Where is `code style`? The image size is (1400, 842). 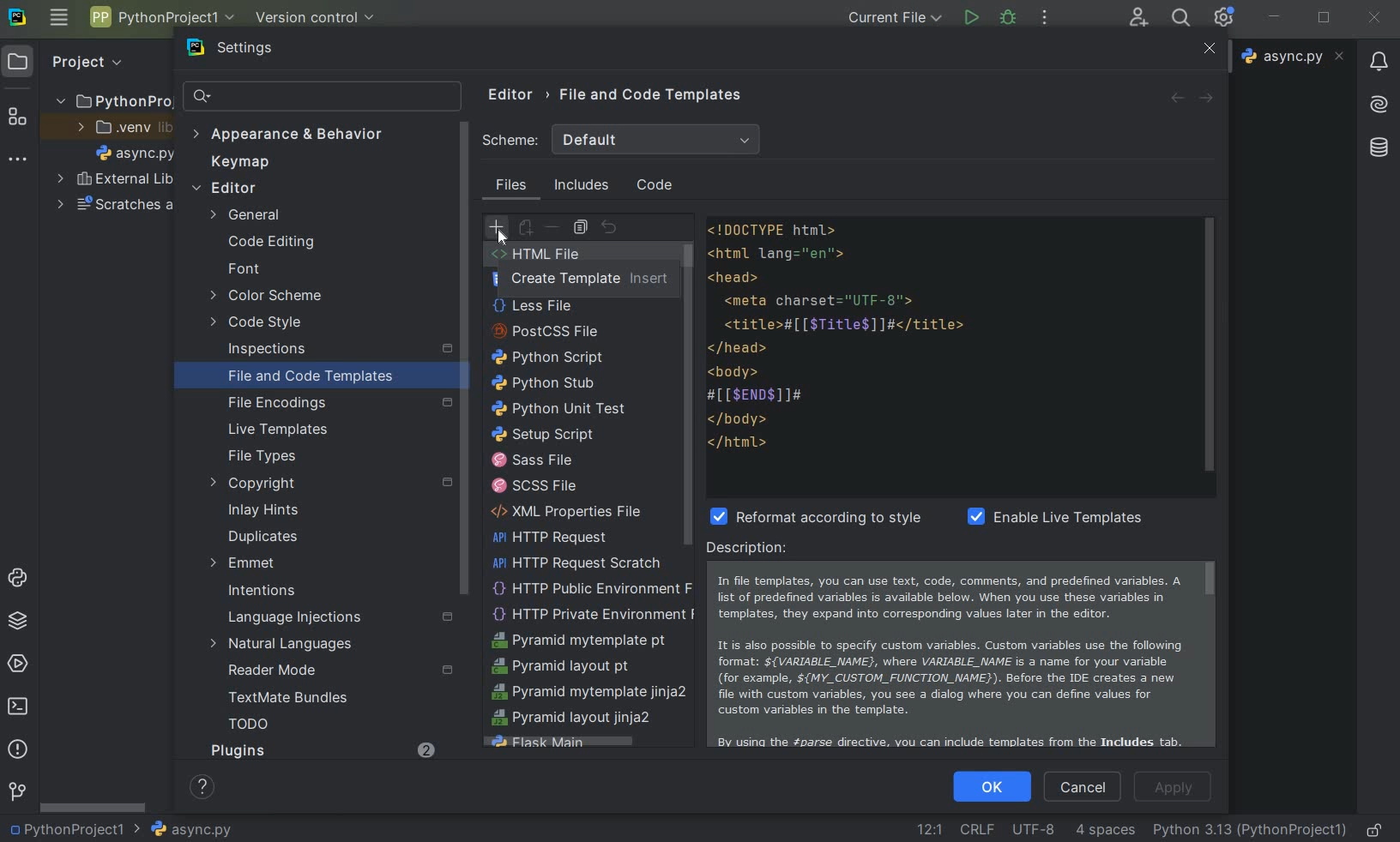 code style is located at coordinates (263, 325).